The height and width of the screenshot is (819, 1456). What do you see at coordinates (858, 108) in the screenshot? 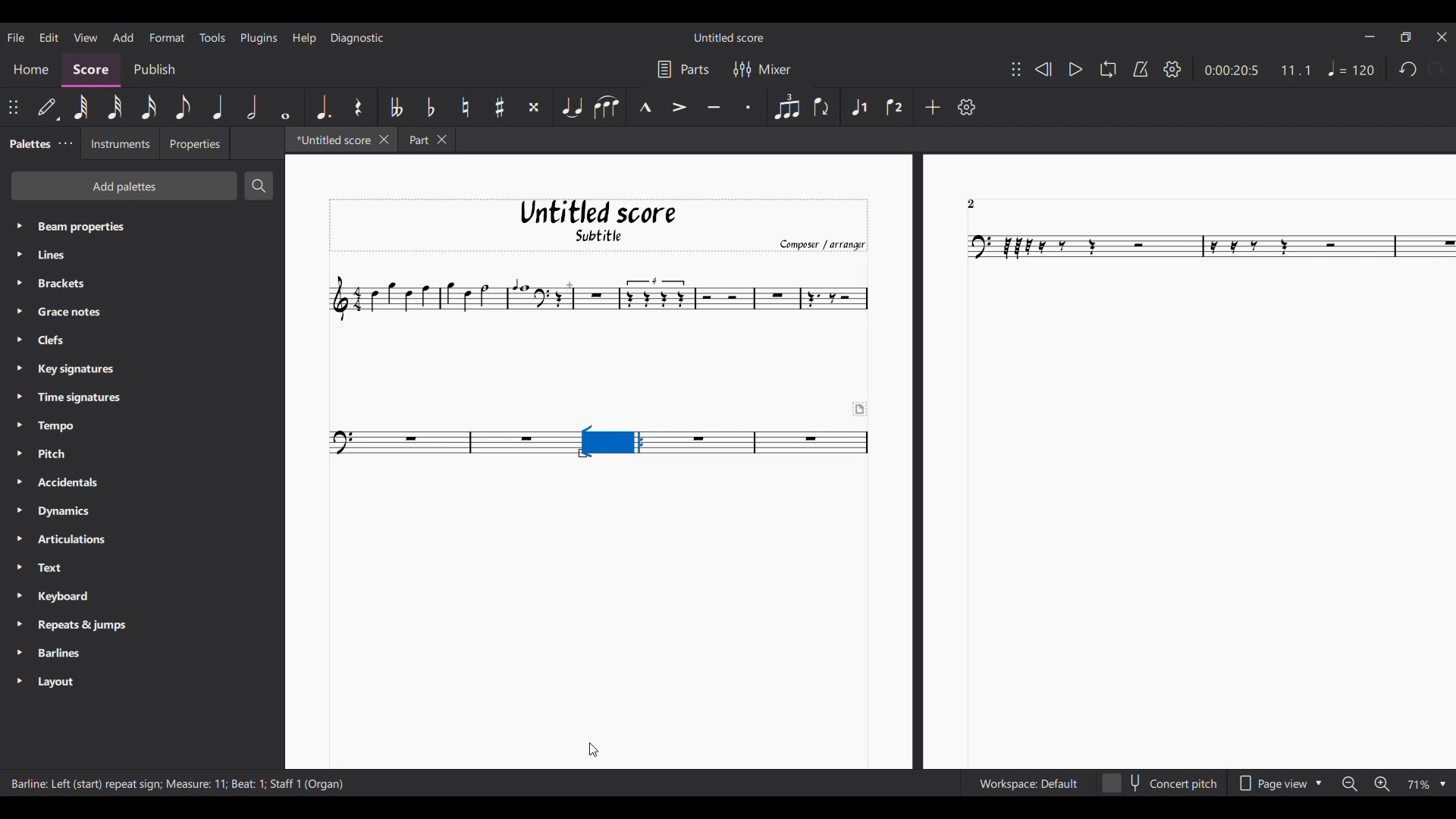
I see `Highlighted due to current selection` at bounding box center [858, 108].